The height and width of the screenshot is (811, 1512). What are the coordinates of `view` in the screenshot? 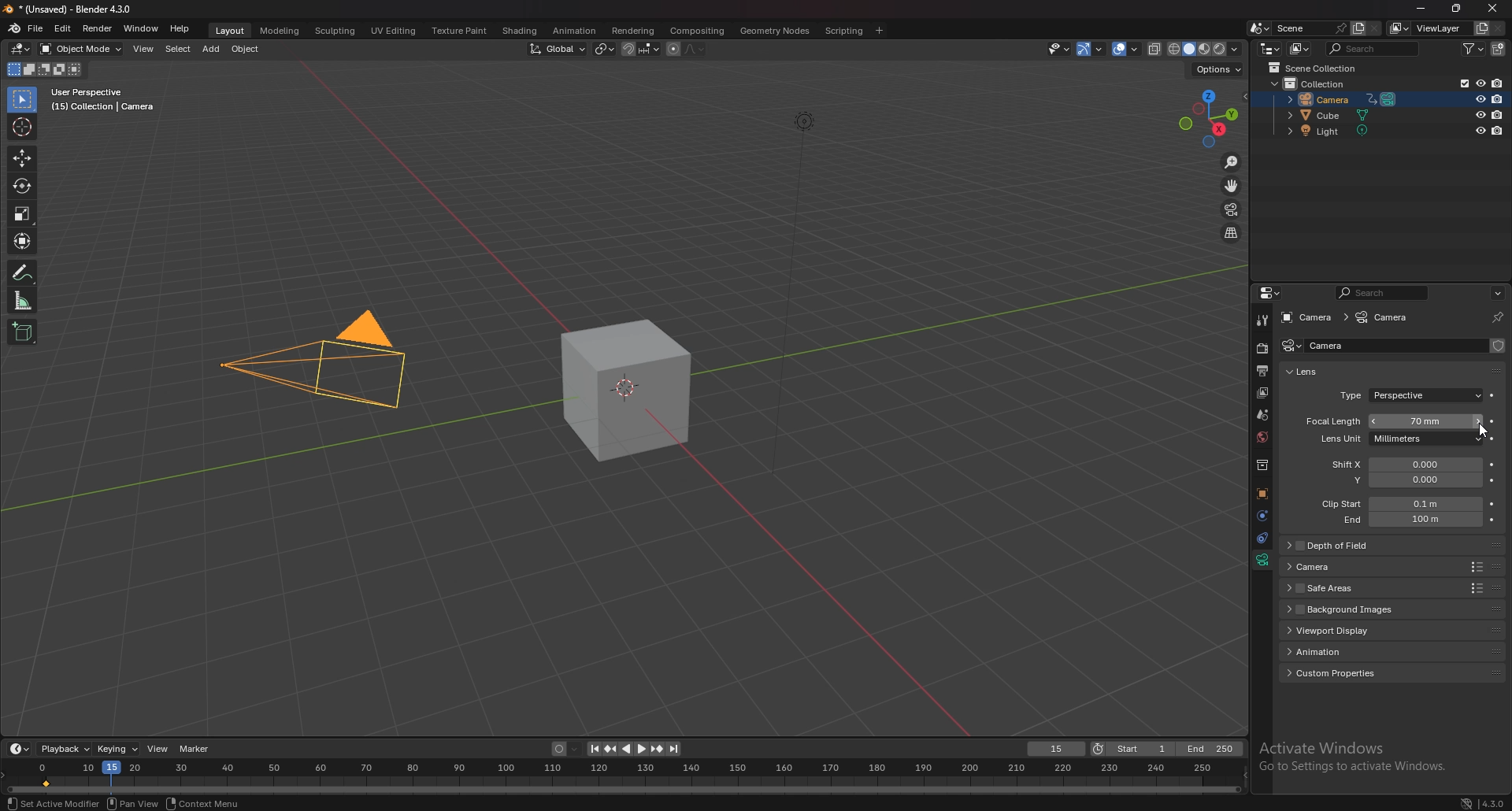 It's located at (143, 48).